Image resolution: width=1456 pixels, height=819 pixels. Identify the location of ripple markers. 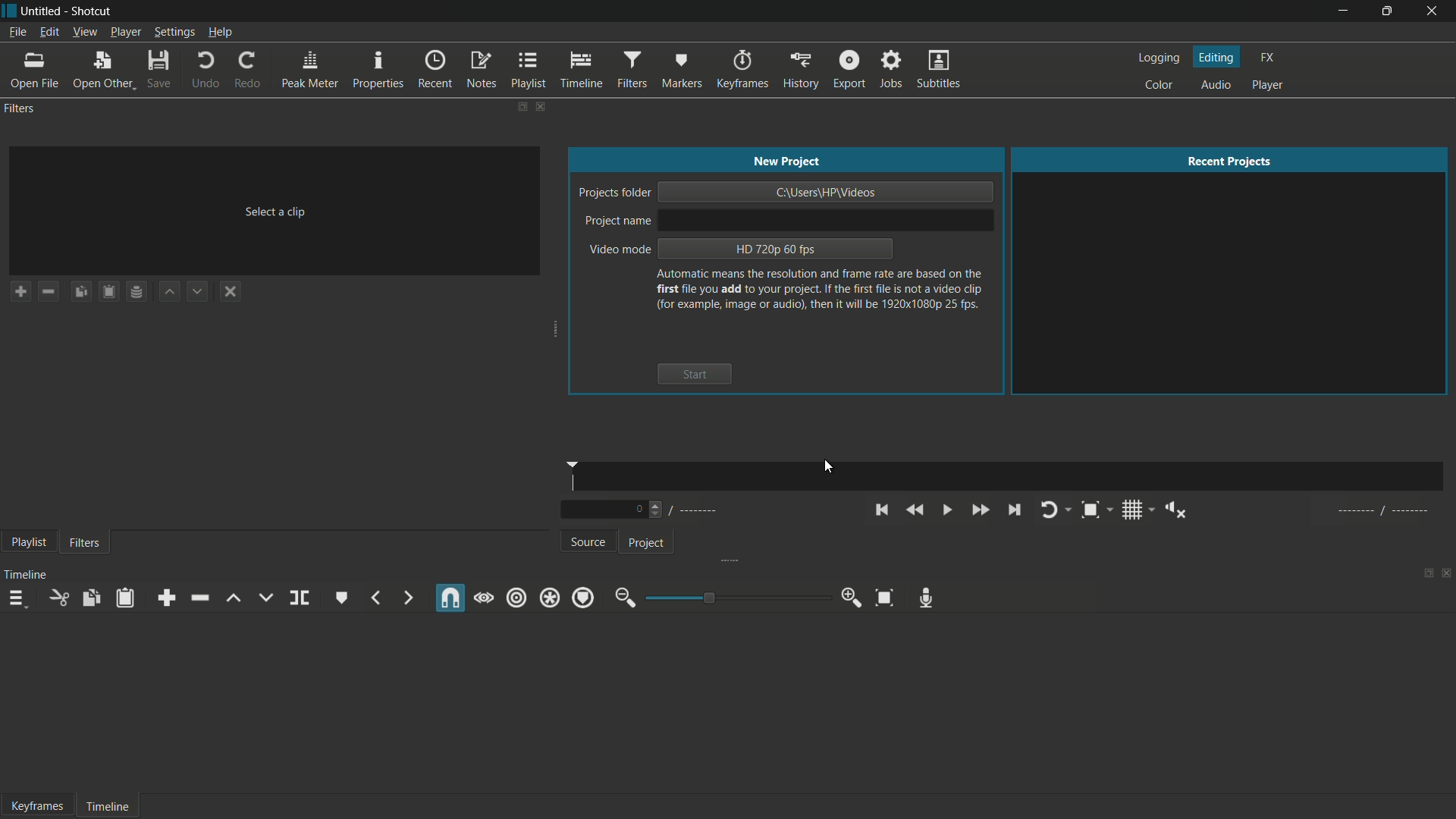
(584, 598).